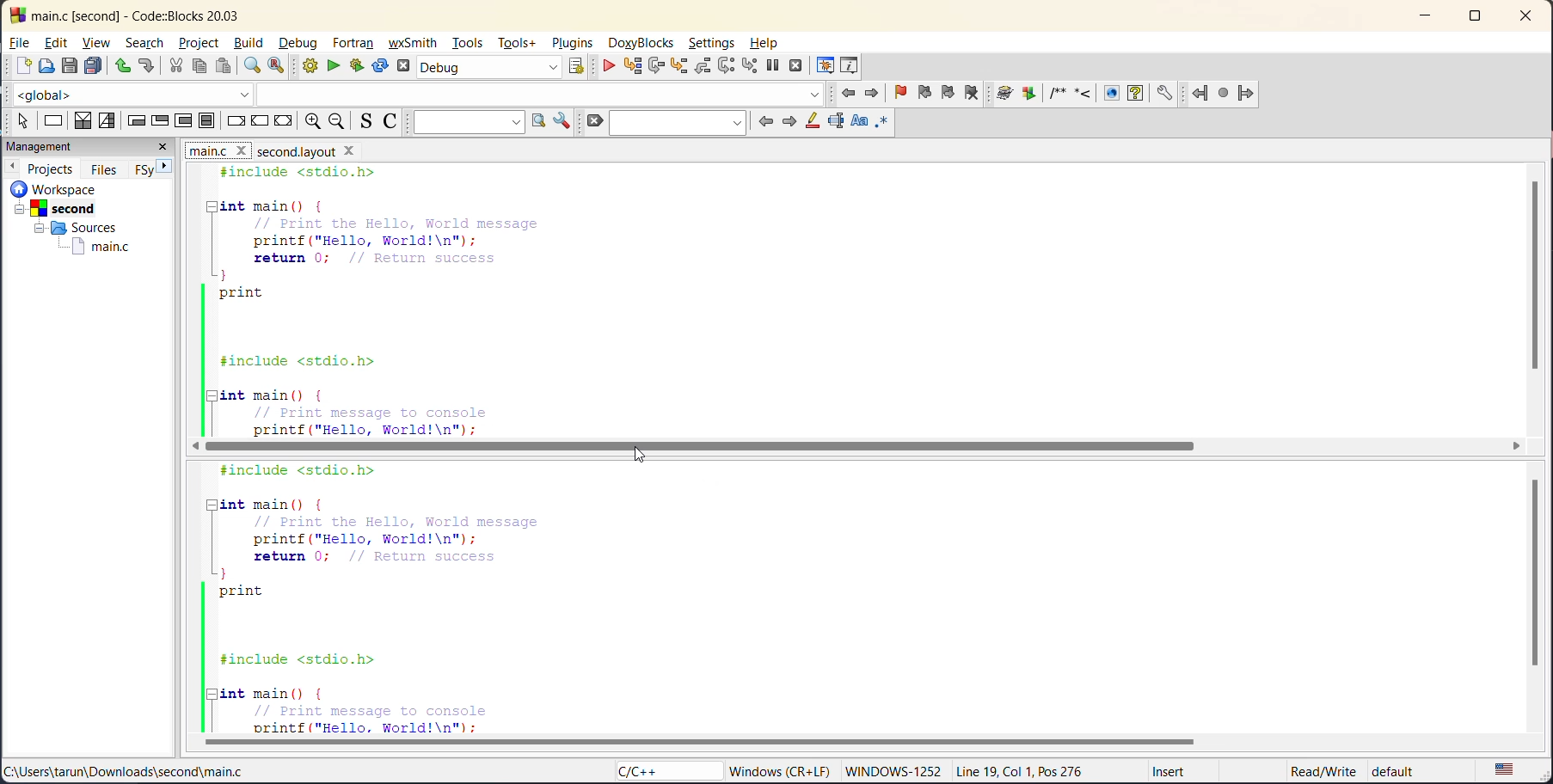  What do you see at coordinates (641, 451) in the screenshot?
I see `cursor` at bounding box center [641, 451].